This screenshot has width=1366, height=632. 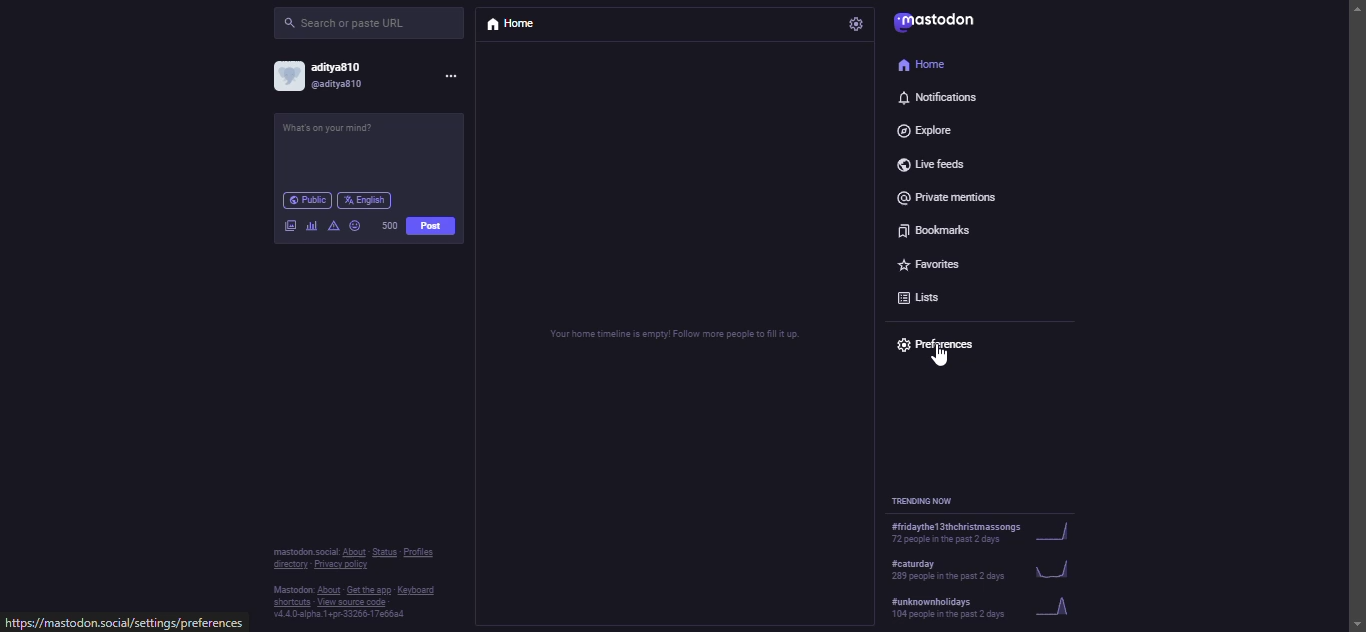 I want to click on account, so click(x=322, y=76).